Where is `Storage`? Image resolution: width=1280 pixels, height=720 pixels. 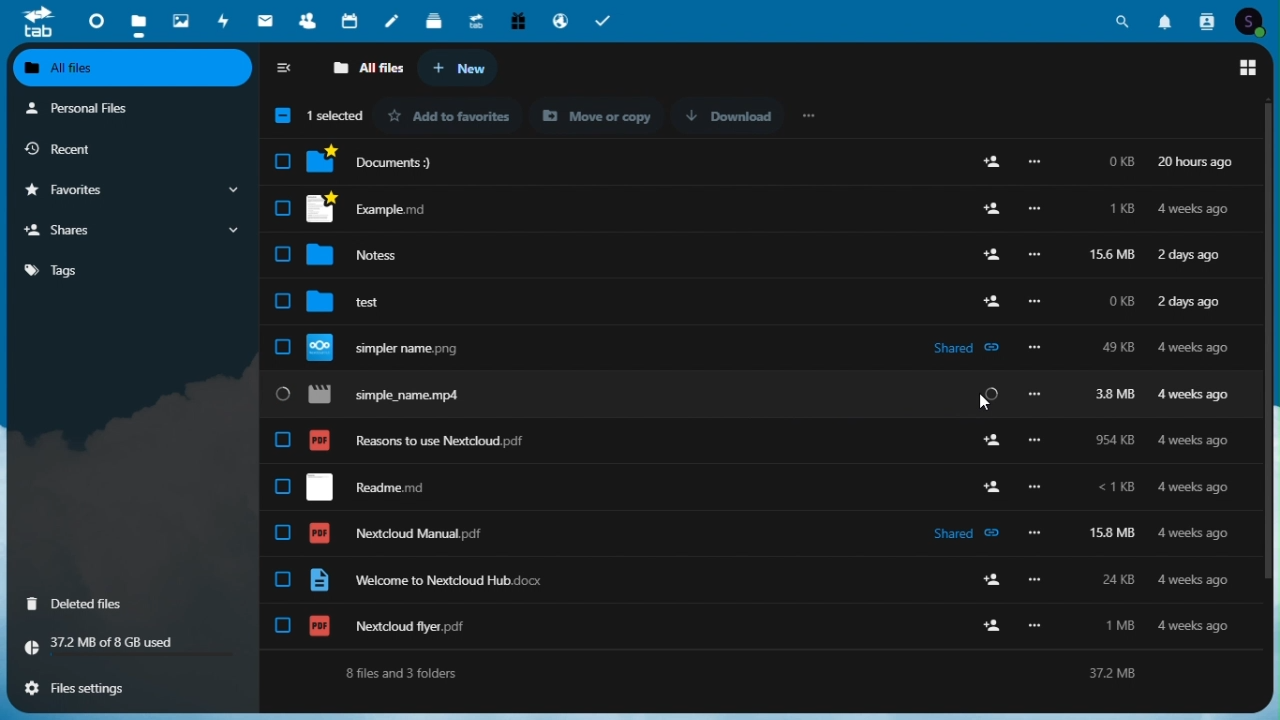 Storage is located at coordinates (135, 646).